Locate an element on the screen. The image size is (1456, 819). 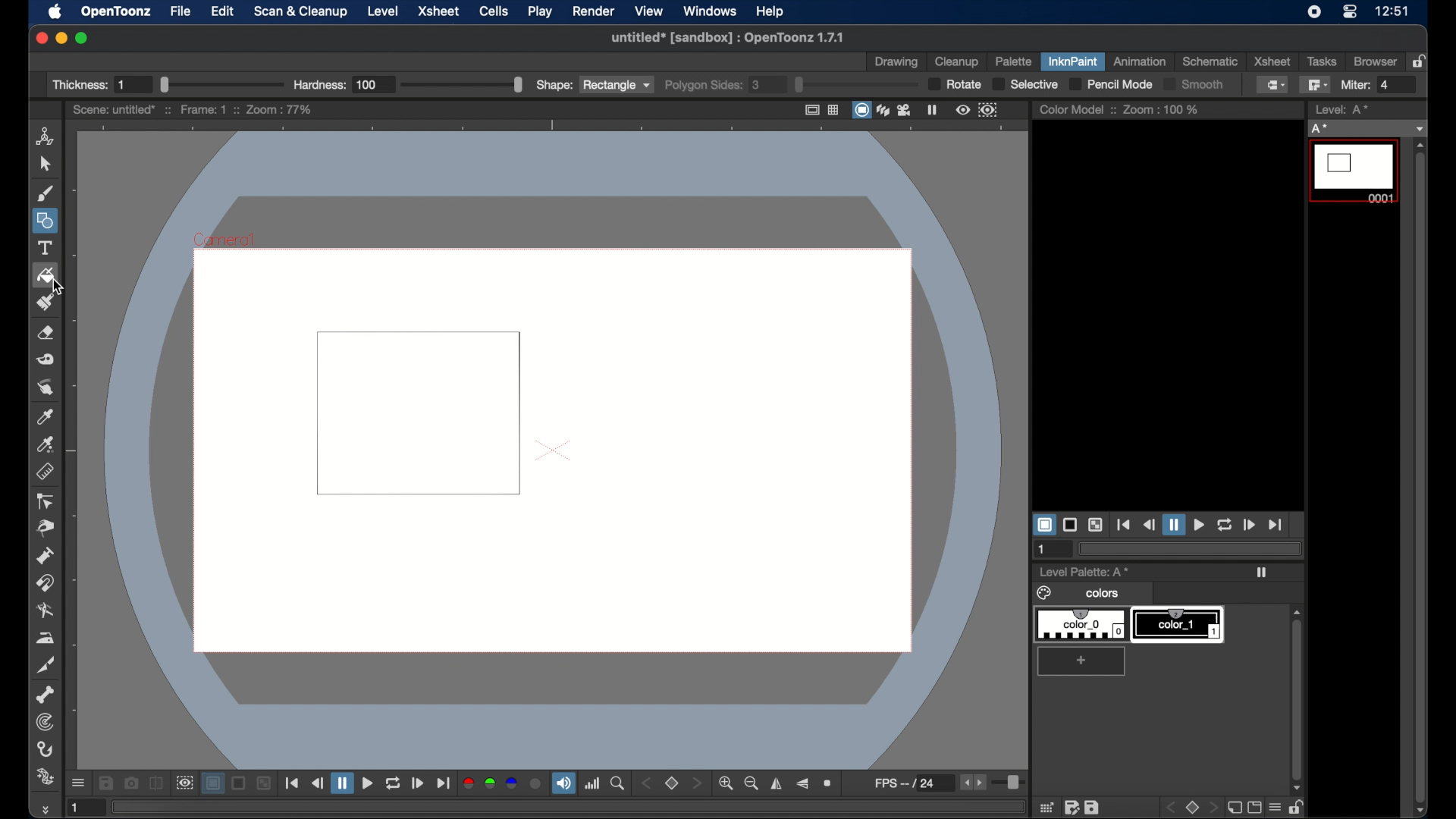
white background is located at coordinates (212, 783).